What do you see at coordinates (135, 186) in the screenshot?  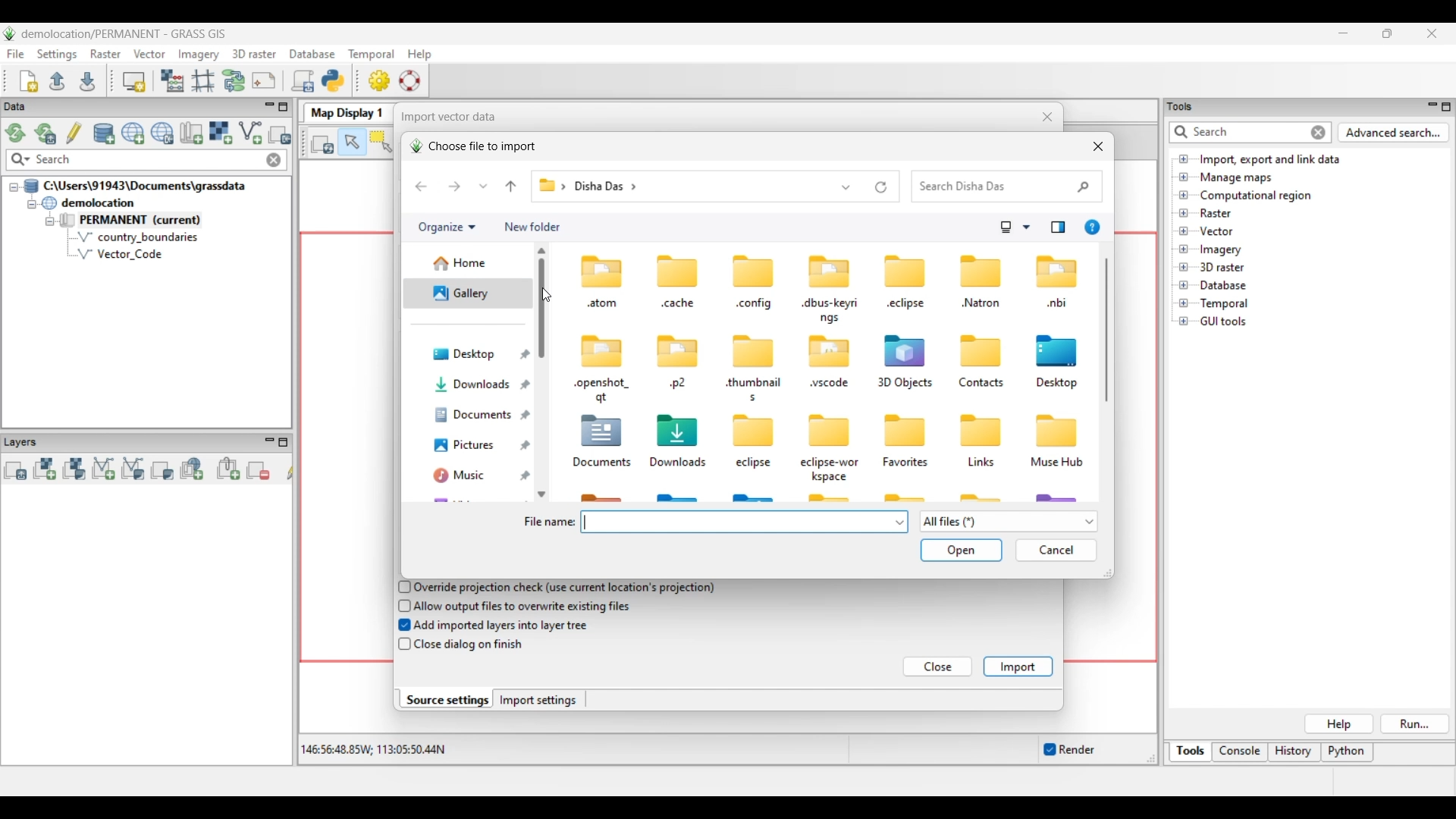 I see `Double click to collapse file thread` at bounding box center [135, 186].